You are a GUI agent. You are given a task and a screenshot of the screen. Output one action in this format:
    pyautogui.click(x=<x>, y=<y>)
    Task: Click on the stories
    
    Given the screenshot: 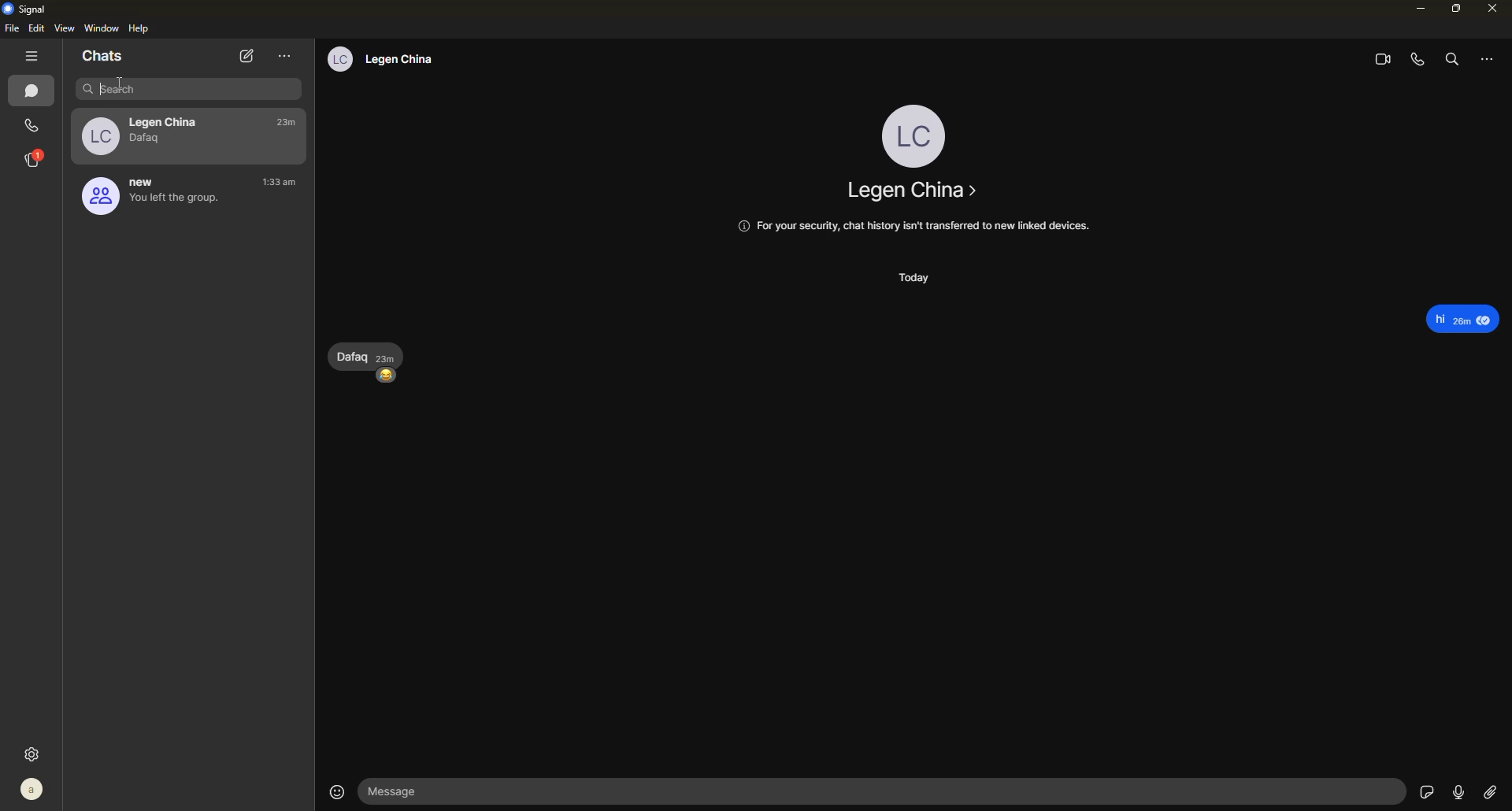 What is the action you would take?
    pyautogui.click(x=35, y=163)
    